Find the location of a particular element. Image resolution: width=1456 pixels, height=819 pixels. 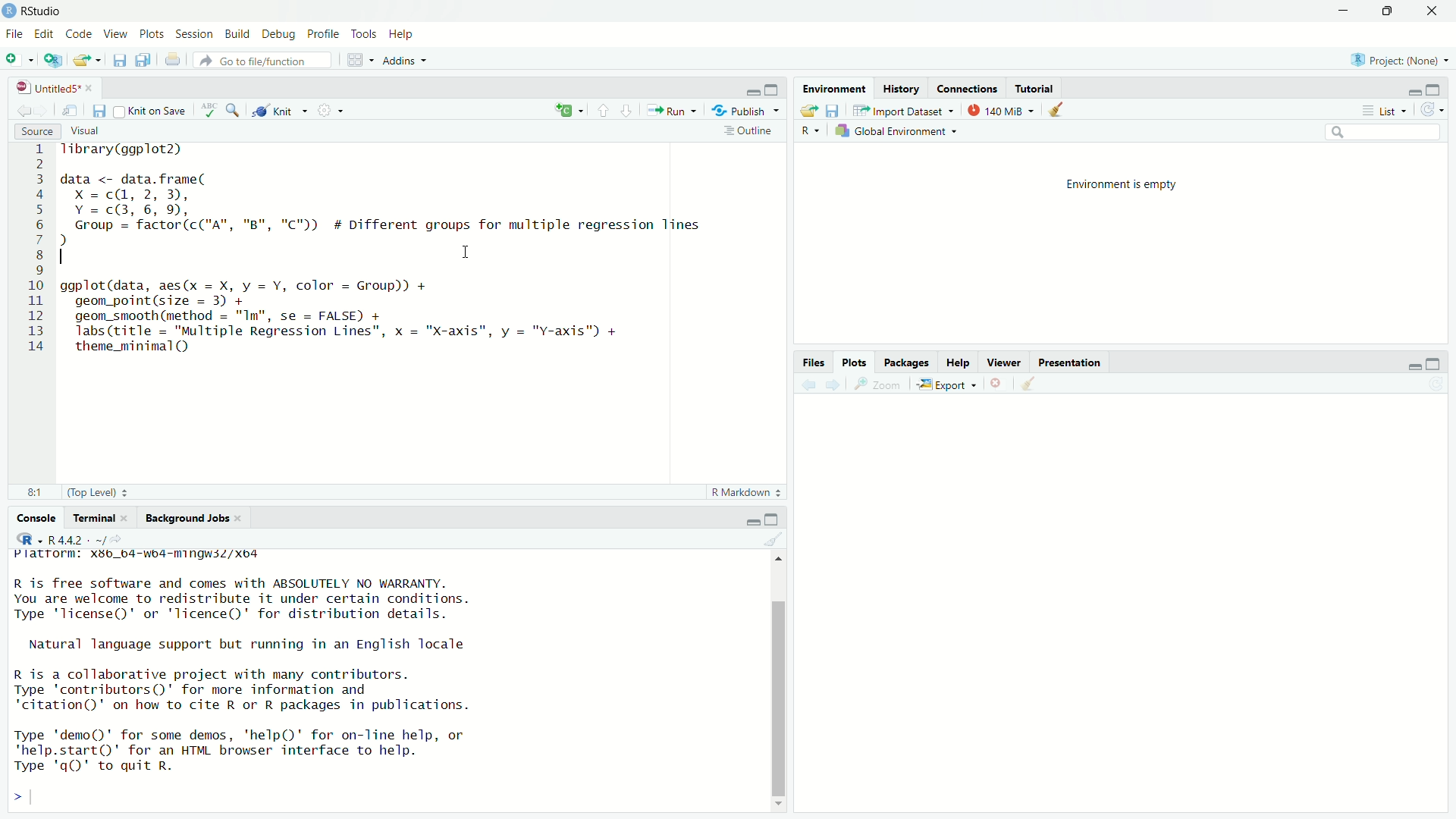

Edit is located at coordinates (45, 35).